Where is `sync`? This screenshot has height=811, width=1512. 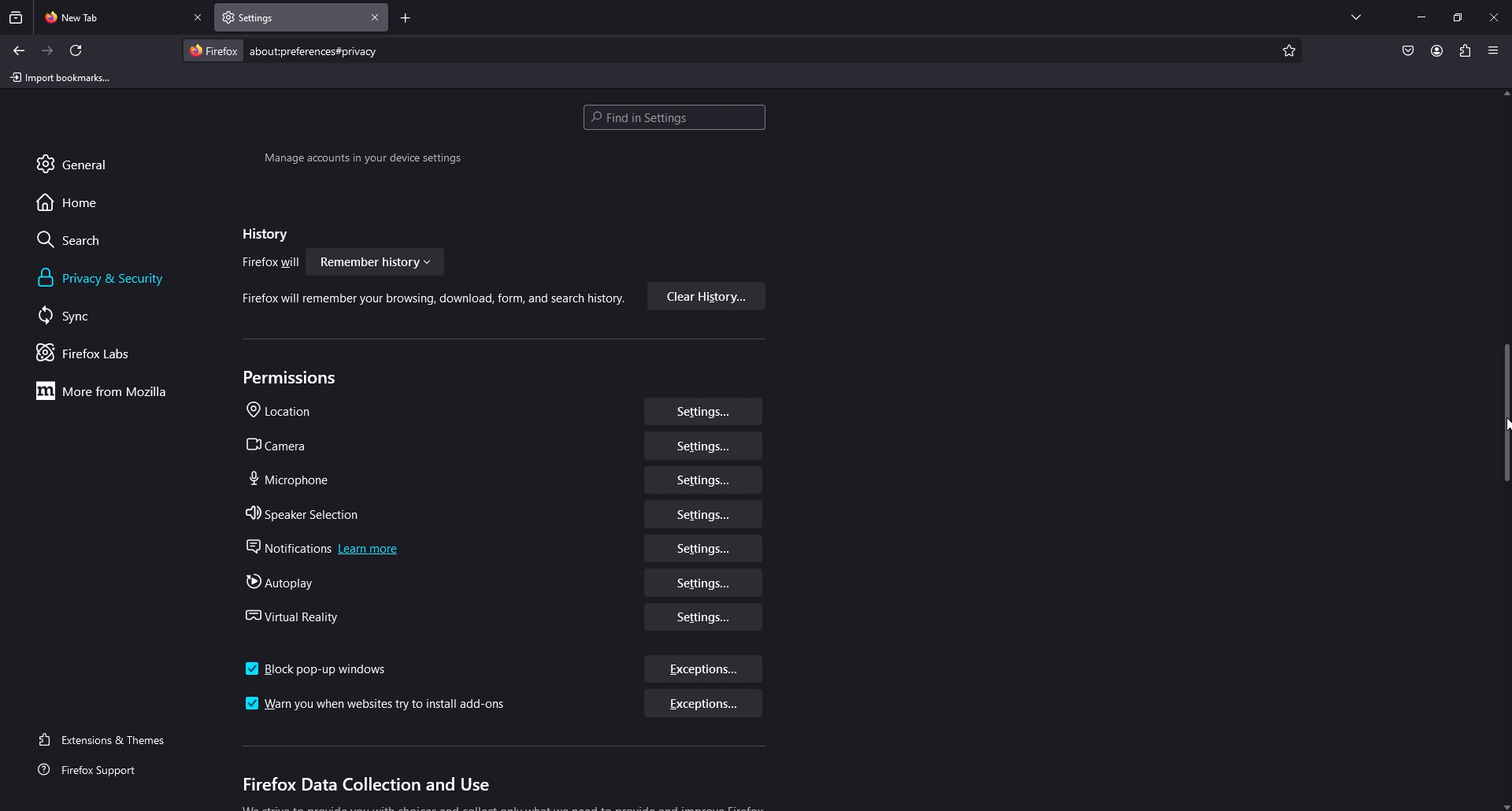 sync is located at coordinates (82, 315).